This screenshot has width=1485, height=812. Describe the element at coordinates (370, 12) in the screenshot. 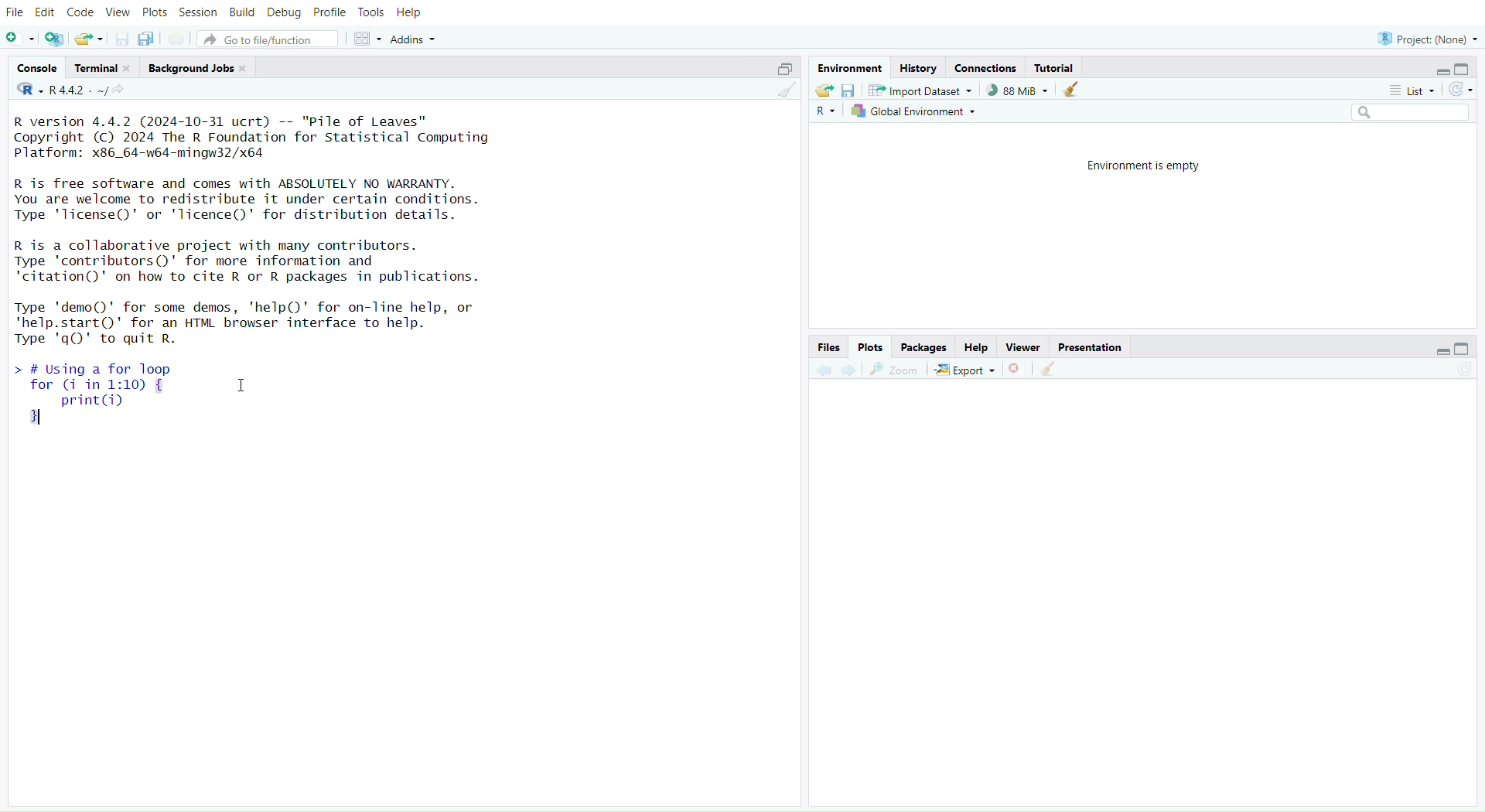

I see `tools` at that location.